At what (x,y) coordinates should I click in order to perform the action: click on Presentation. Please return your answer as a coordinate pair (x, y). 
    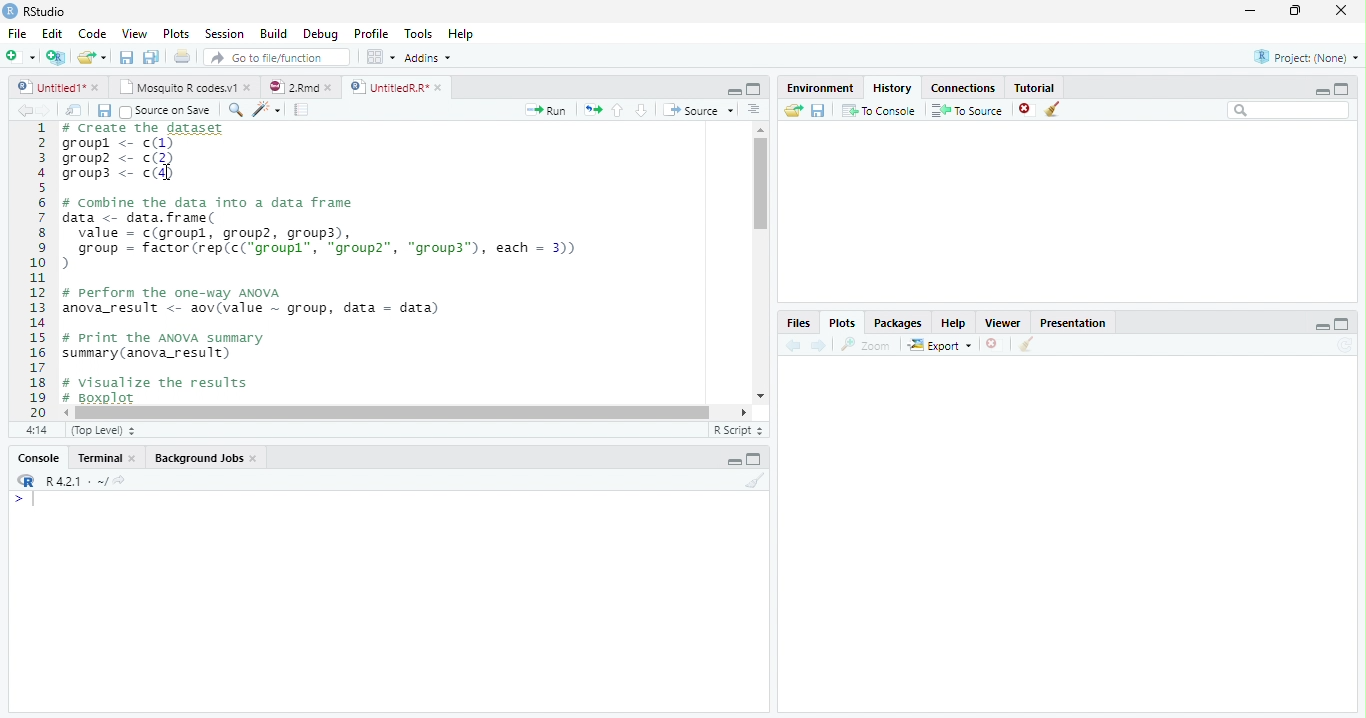
    Looking at the image, I should click on (1081, 321).